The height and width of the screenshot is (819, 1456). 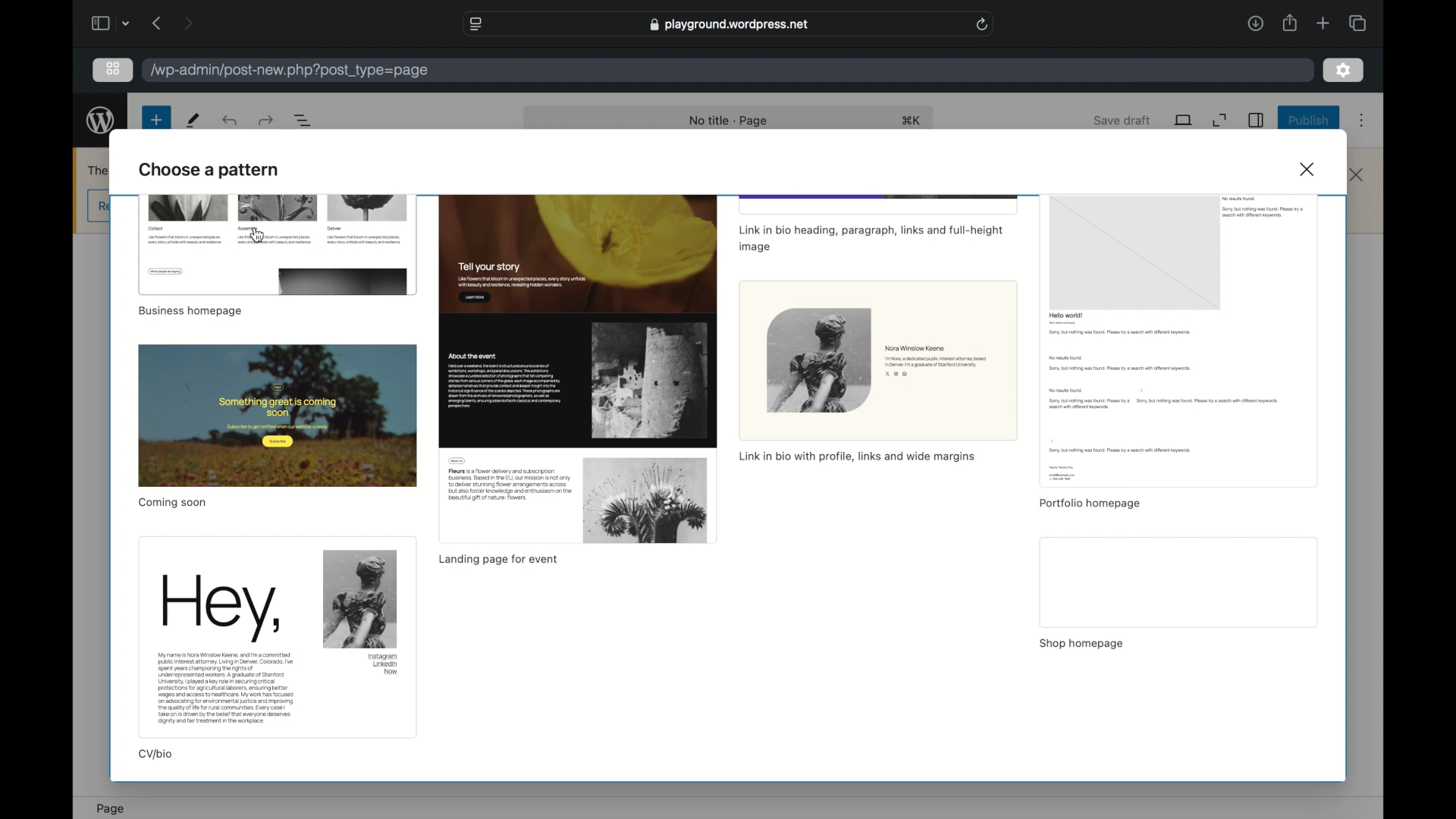 What do you see at coordinates (278, 637) in the screenshot?
I see `preview` at bounding box center [278, 637].